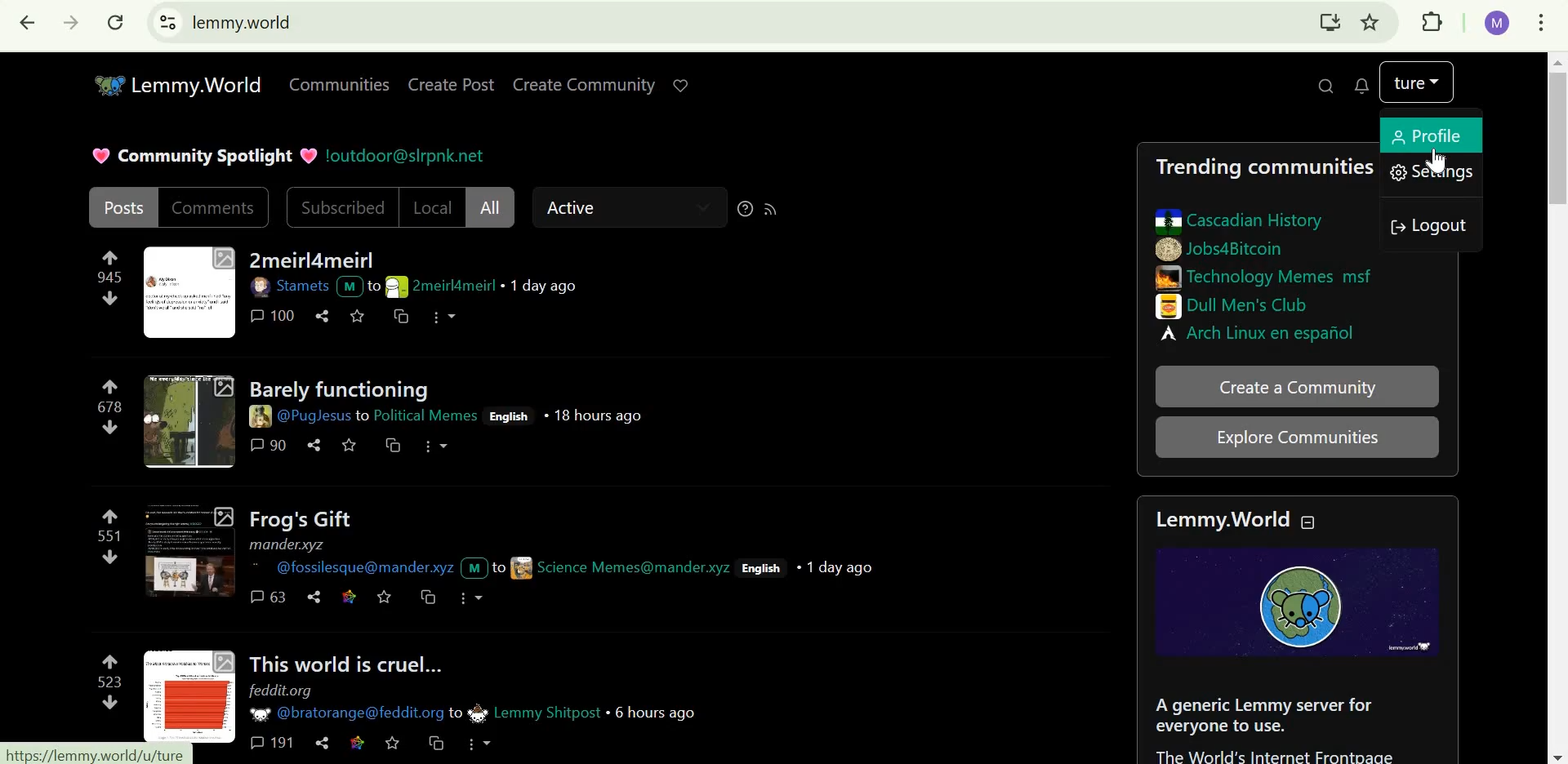 The width and height of the screenshot is (1568, 764). What do you see at coordinates (359, 316) in the screenshot?
I see `save` at bounding box center [359, 316].